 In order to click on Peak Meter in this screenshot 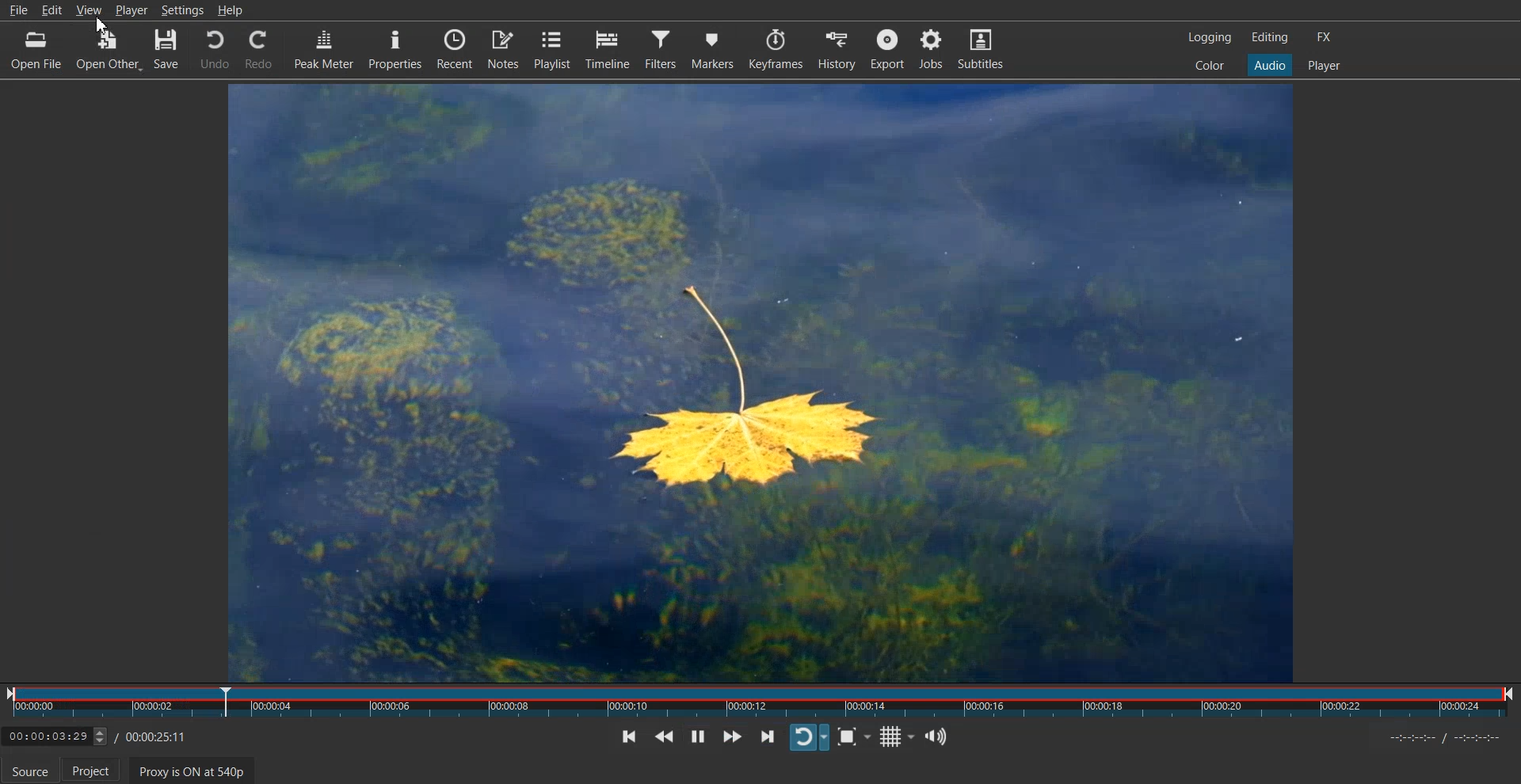, I will do `click(322, 49)`.